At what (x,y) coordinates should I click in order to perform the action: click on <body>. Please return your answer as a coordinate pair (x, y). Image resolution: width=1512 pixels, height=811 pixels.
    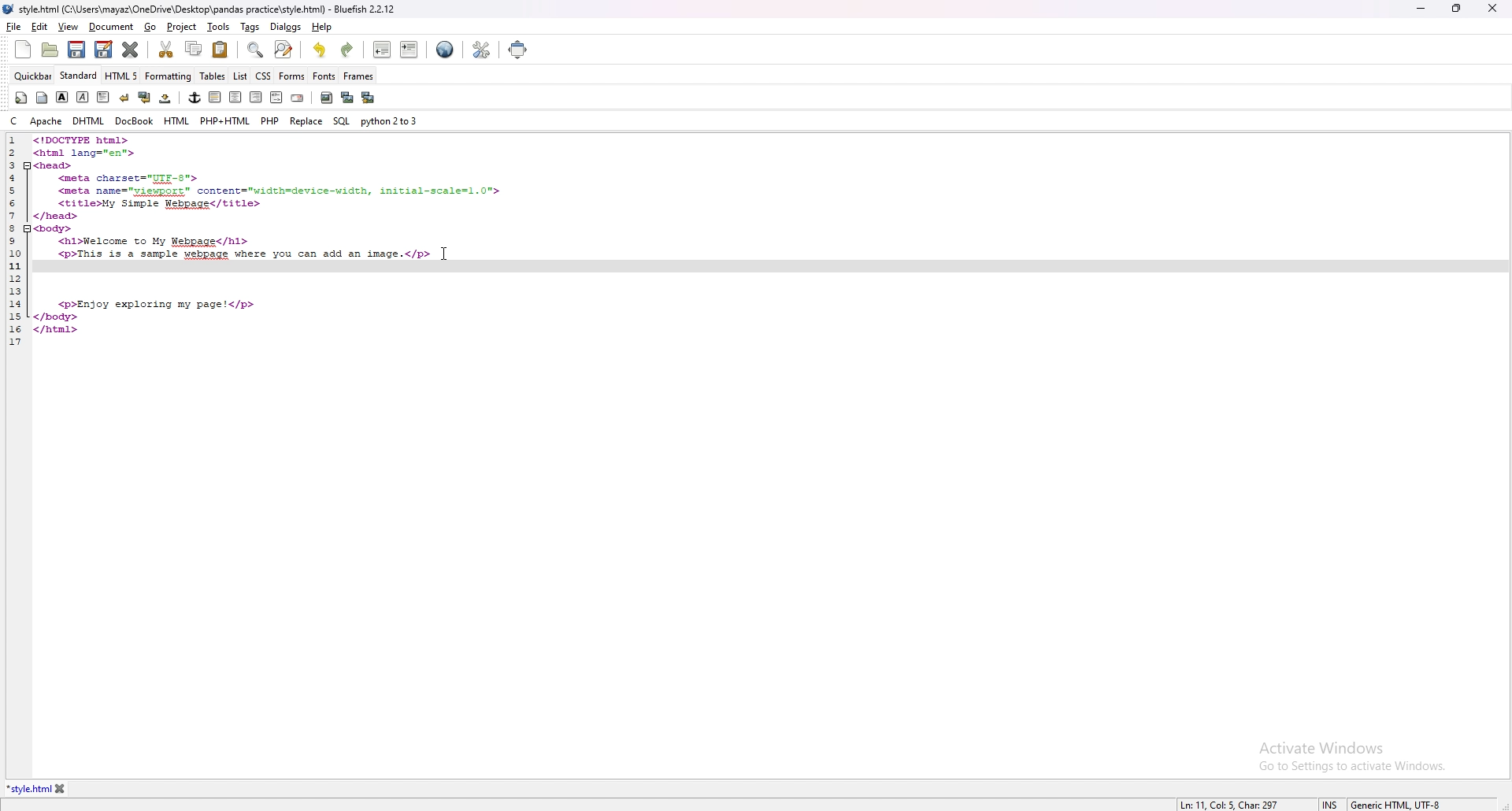
    Looking at the image, I should click on (55, 229).